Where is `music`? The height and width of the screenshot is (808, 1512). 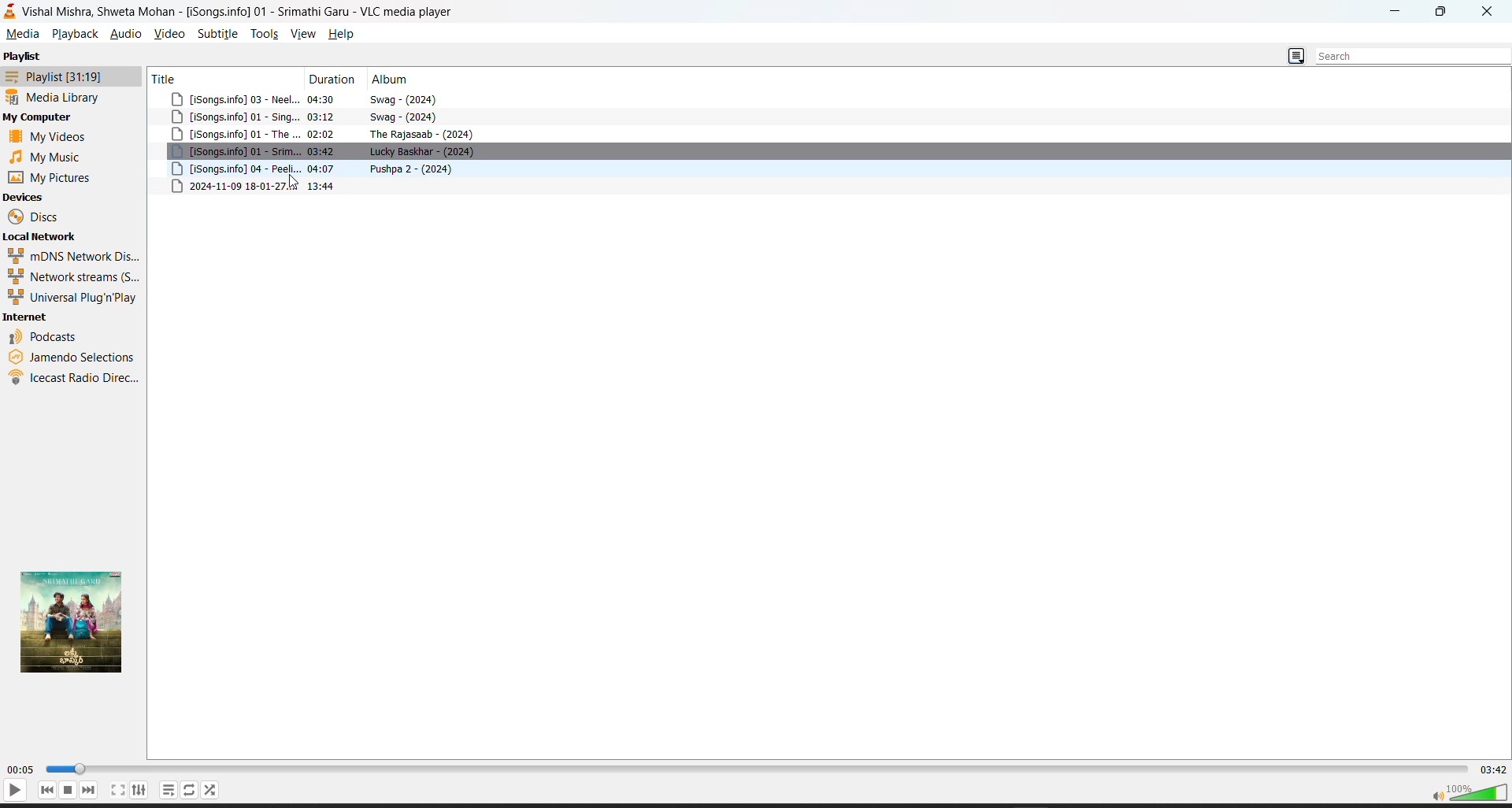 music is located at coordinates (47, 157).